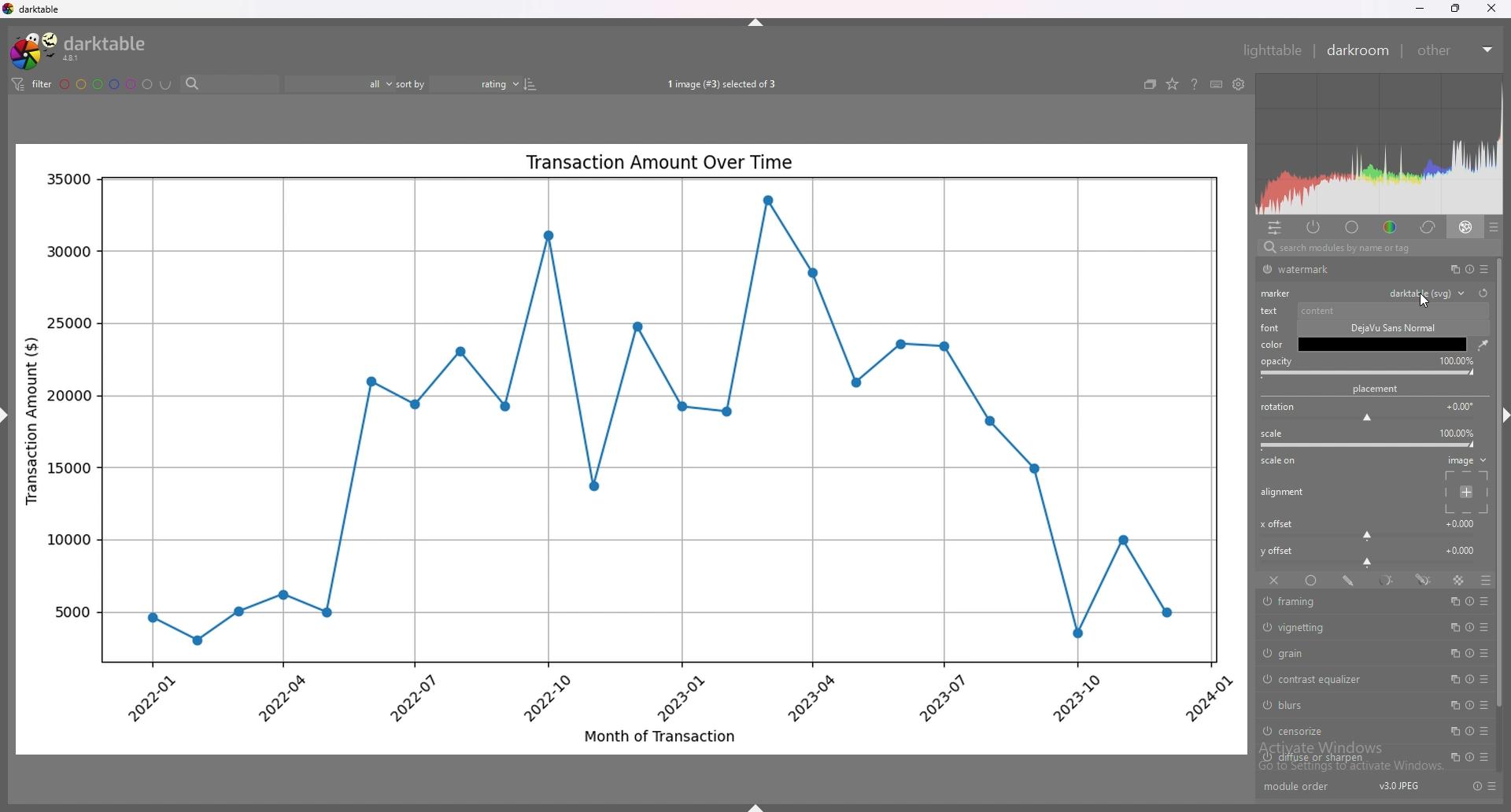 This screenshot has width=1511, height=812. What do you see at coordinates (1457, 50) in the screenshot?
I see `other` at bounding box center [1457, 50].